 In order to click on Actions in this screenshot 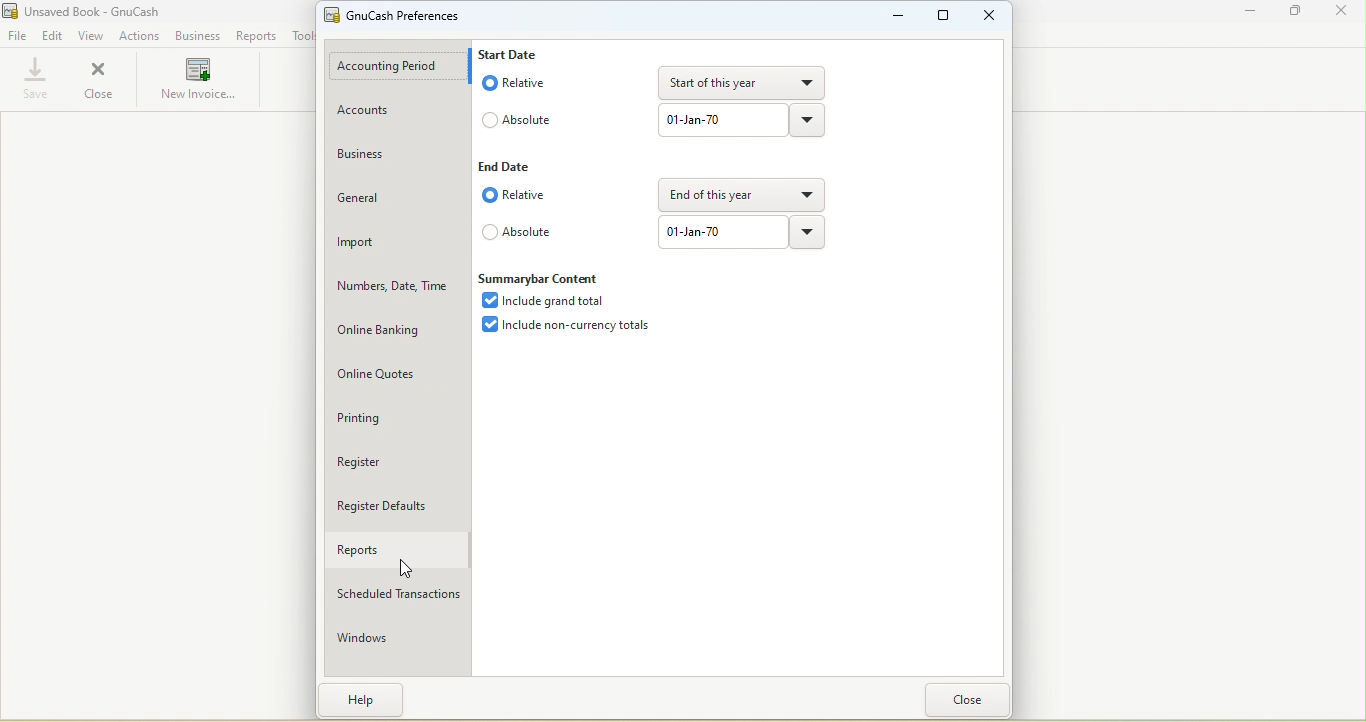, I will do `click(141, 35)`.